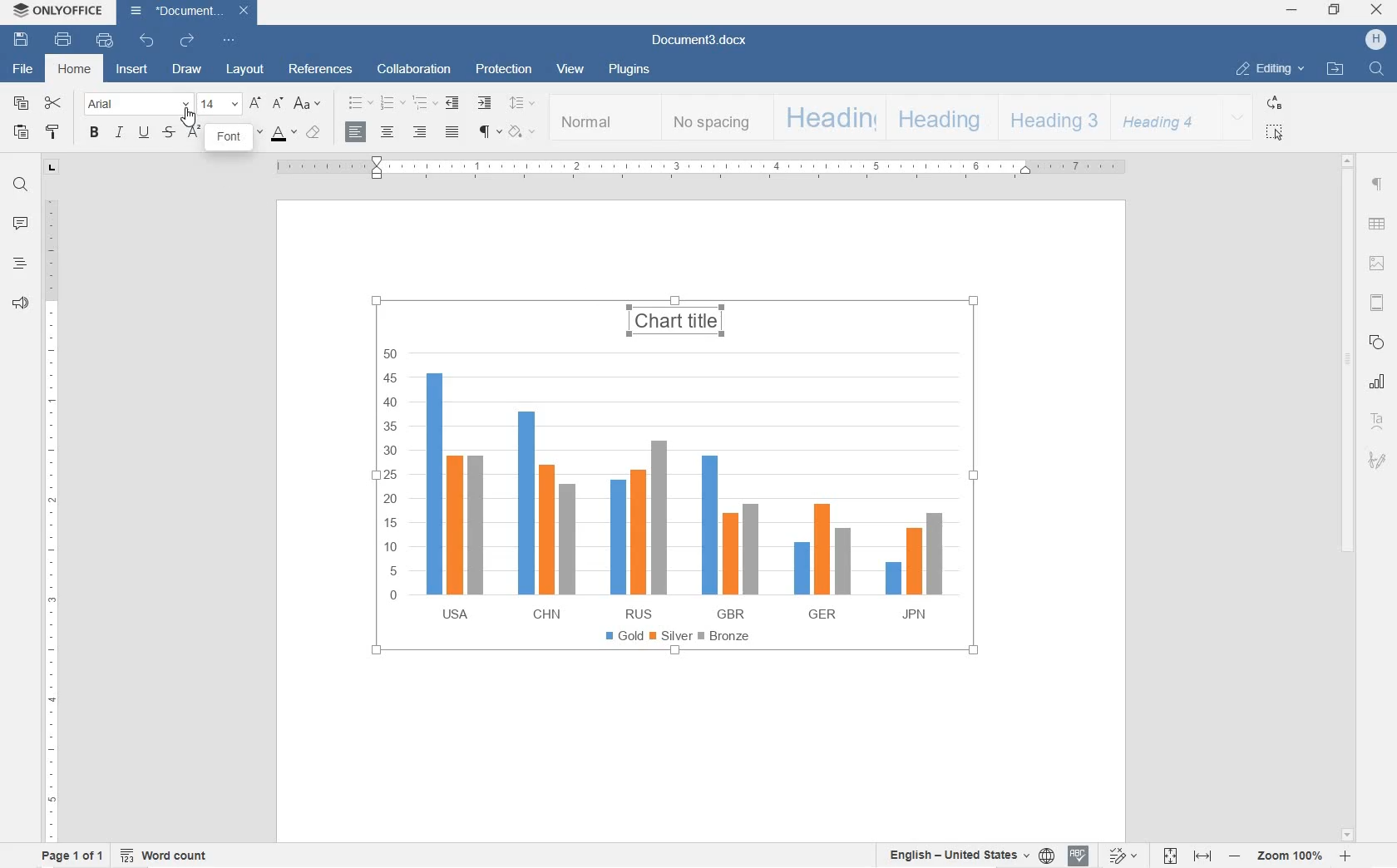  I want to click on HIGHLIGHT COLOR, so click(259, 135).